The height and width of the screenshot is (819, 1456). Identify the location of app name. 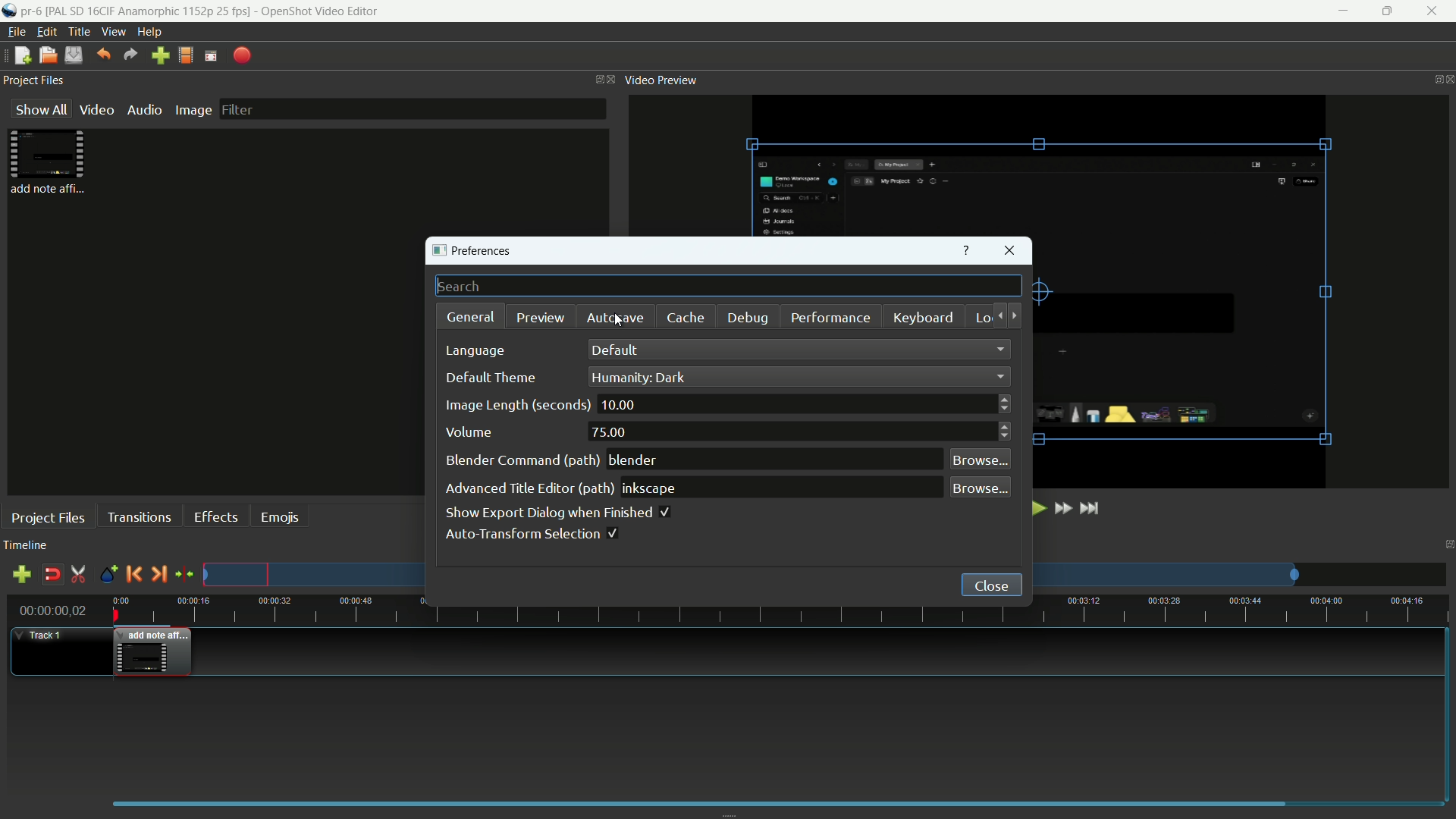
(322, 12).